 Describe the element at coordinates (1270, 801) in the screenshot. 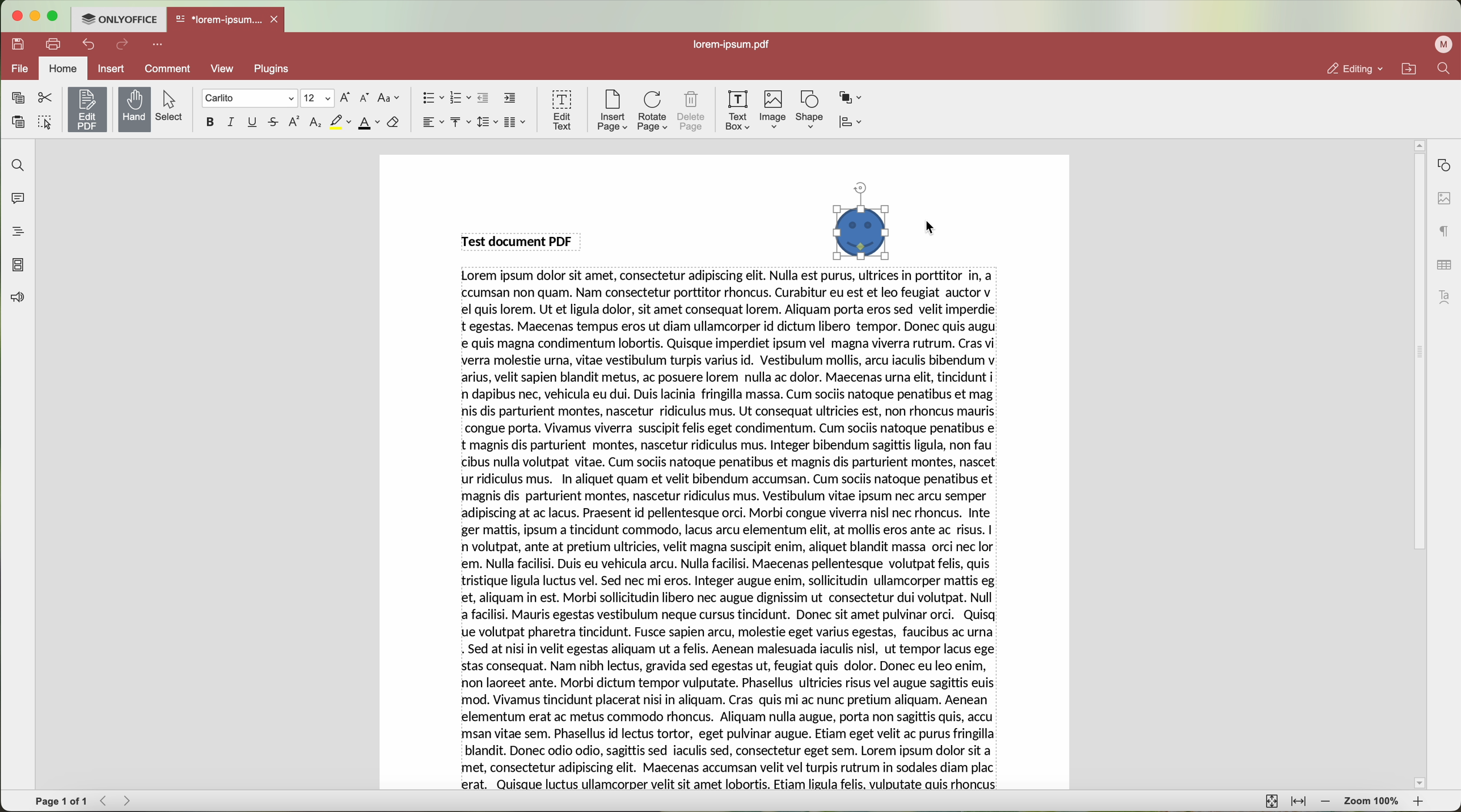

I see `fit to page` at that location.